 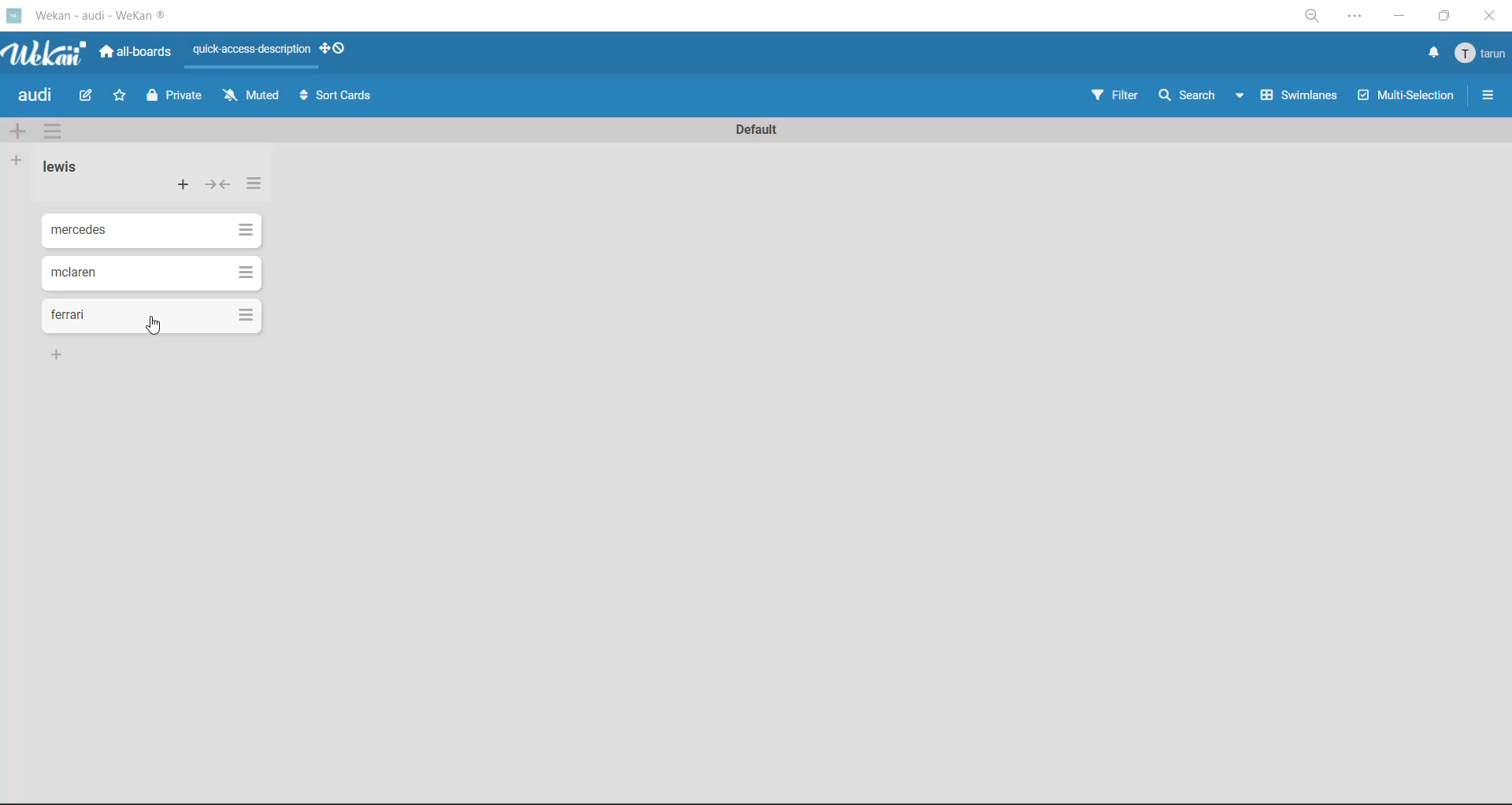 I want to click on edit, so click(x=90, y=96).